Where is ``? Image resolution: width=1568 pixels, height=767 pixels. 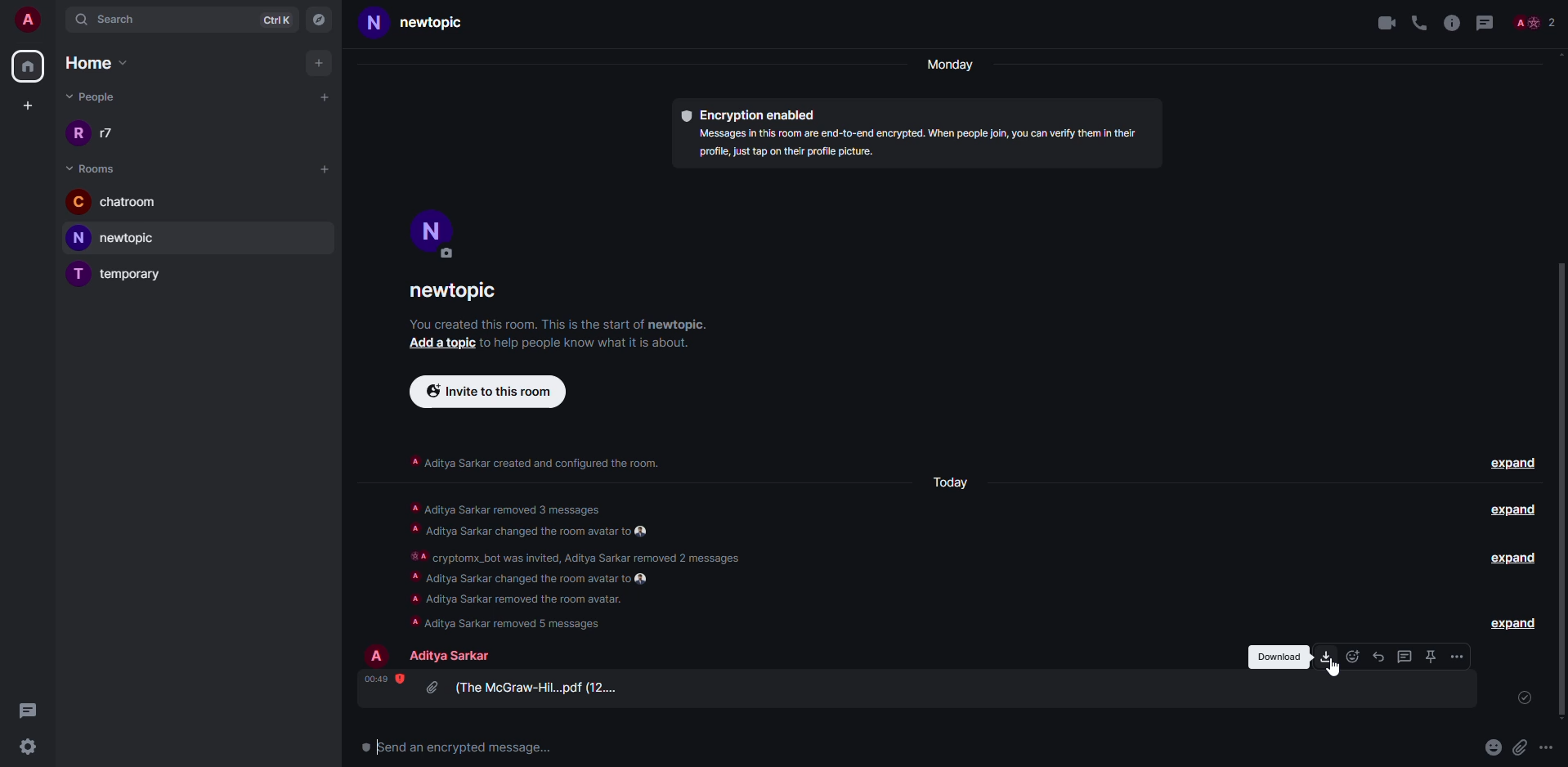
 is located at coordinates (1540, 21).